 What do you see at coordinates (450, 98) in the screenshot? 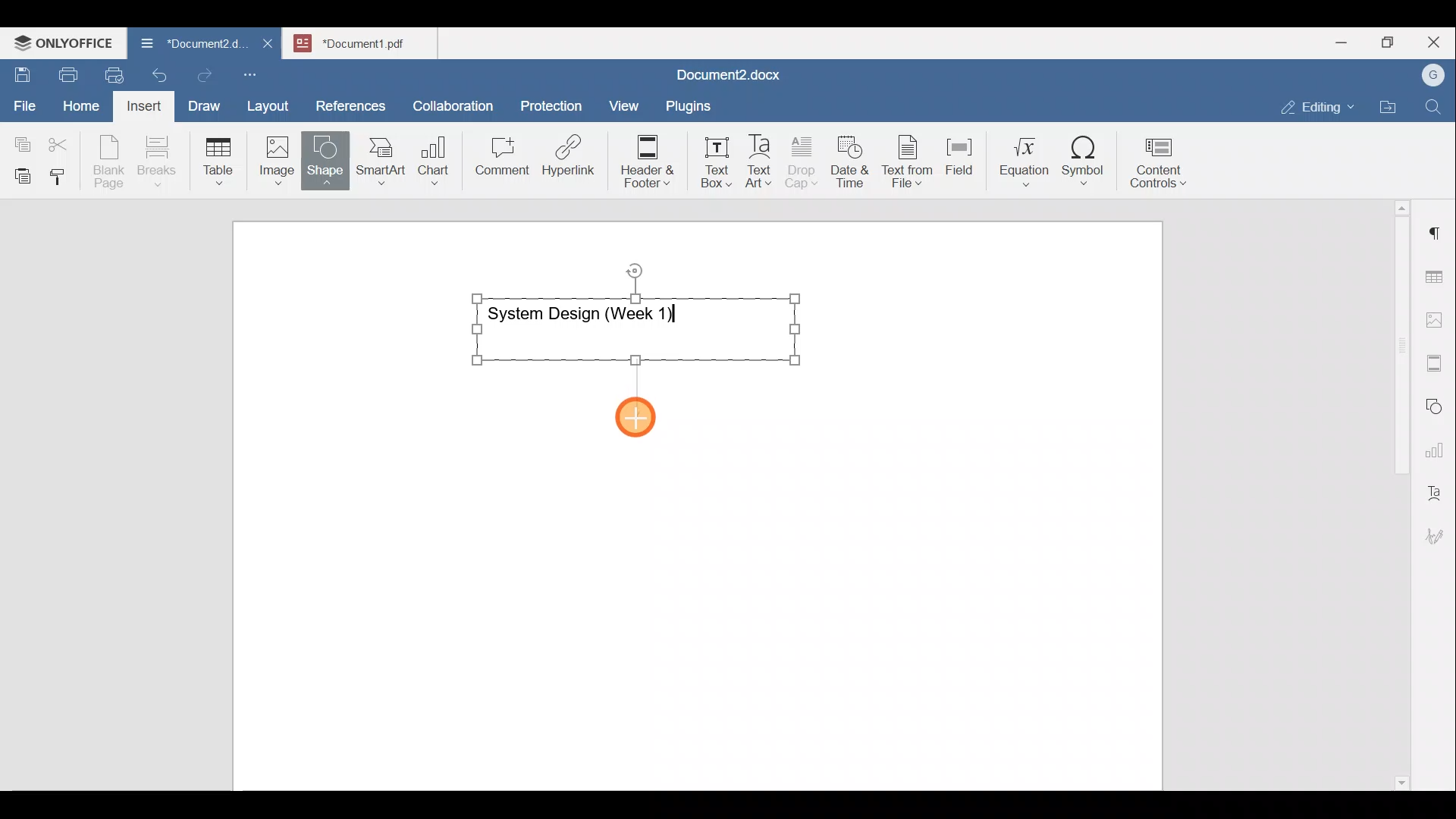
I see `Collaboration` at bounding box center [450, 98].